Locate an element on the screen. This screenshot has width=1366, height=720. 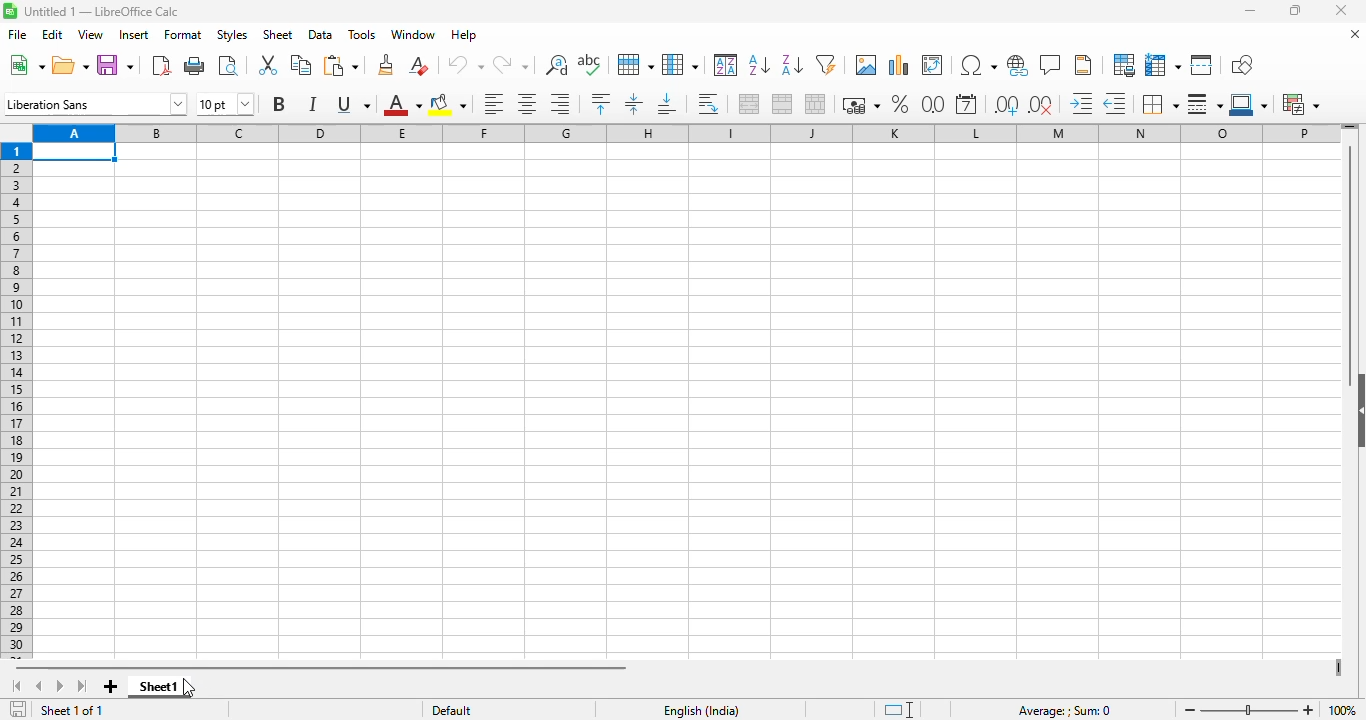
border style is located at coordinates (1205, 105).